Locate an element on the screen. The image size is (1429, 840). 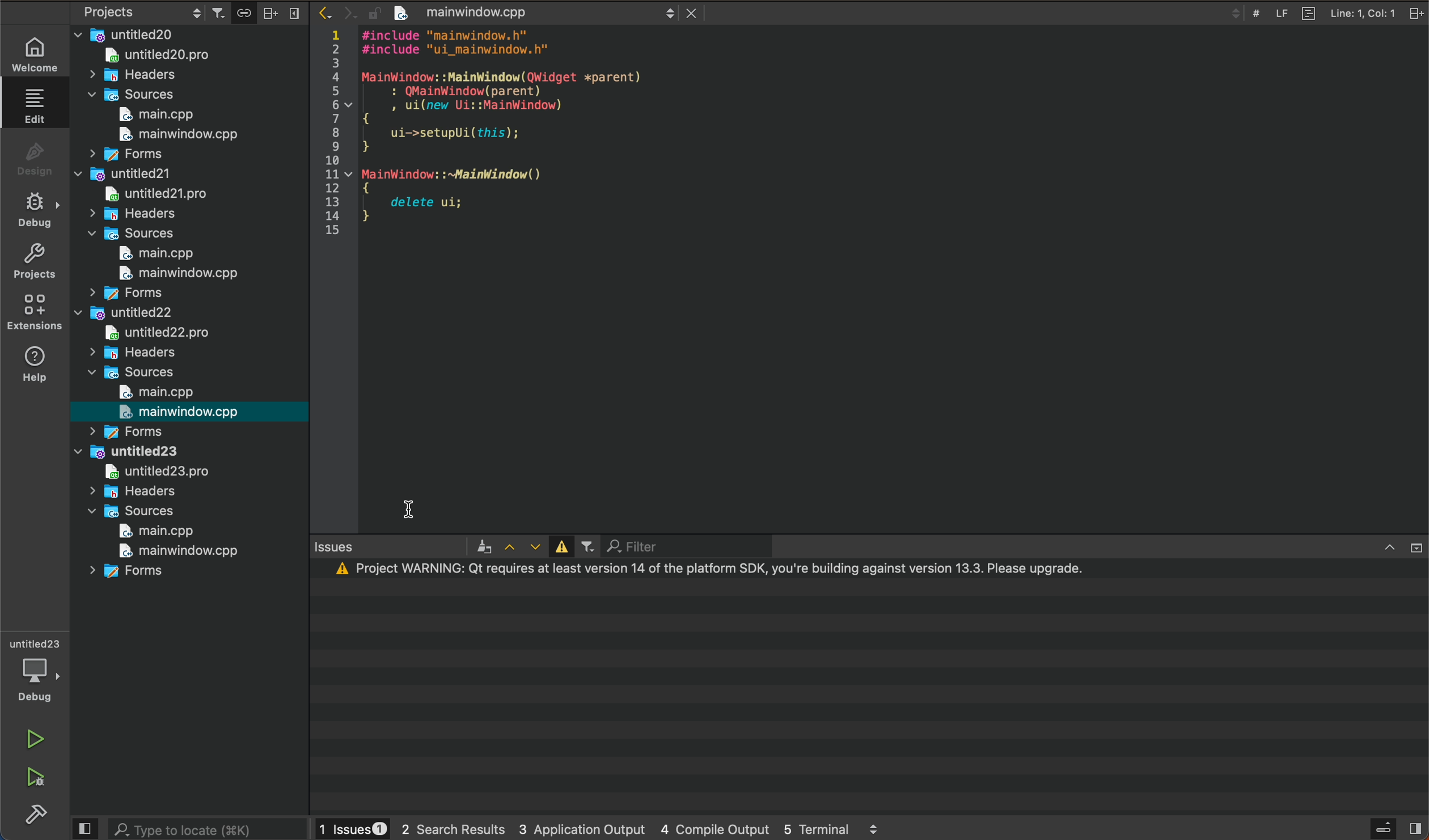
close slide bar is located at coordinates (1396, 828).